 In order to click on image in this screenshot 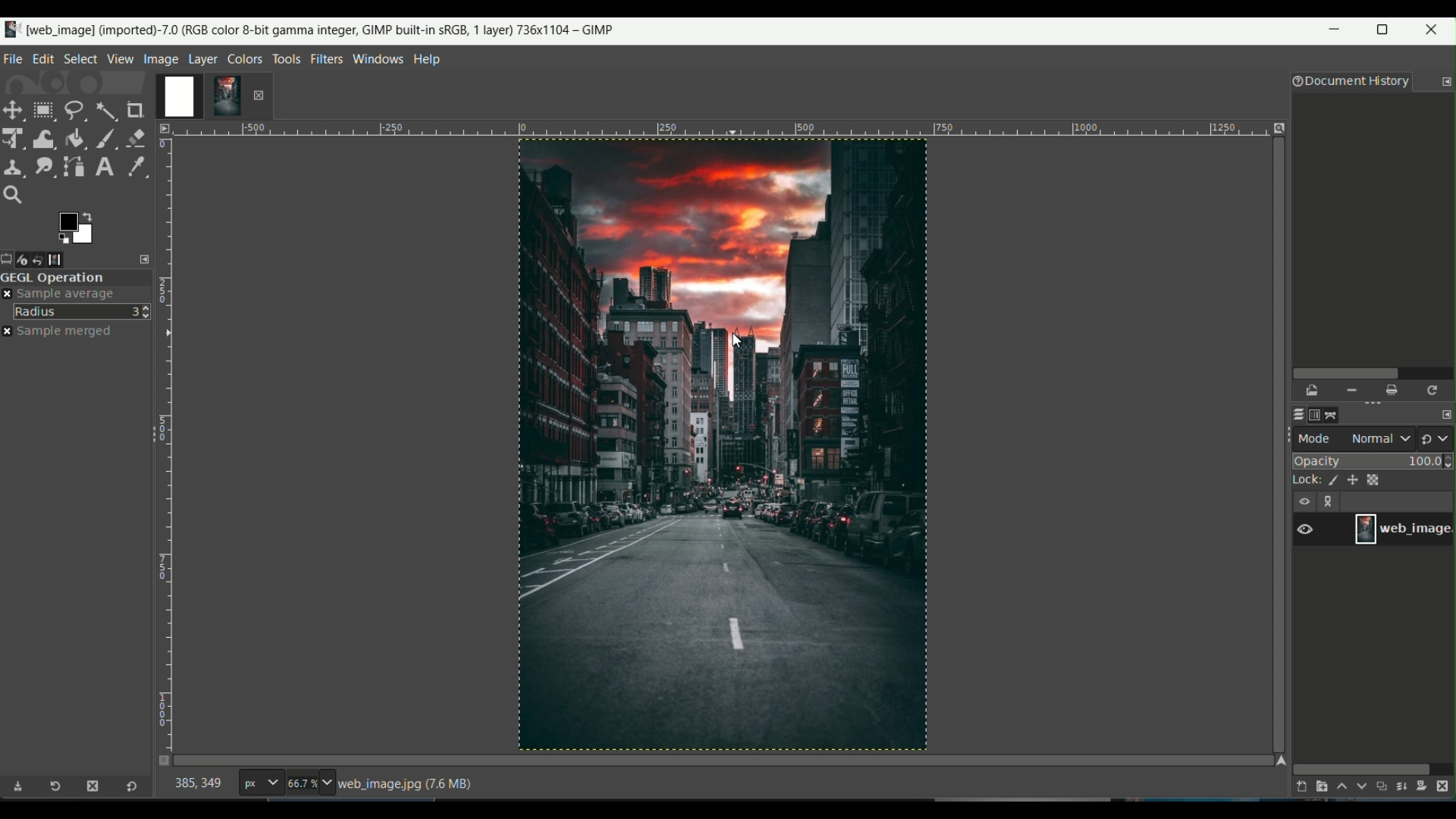, I will do `click(721, 447)`.